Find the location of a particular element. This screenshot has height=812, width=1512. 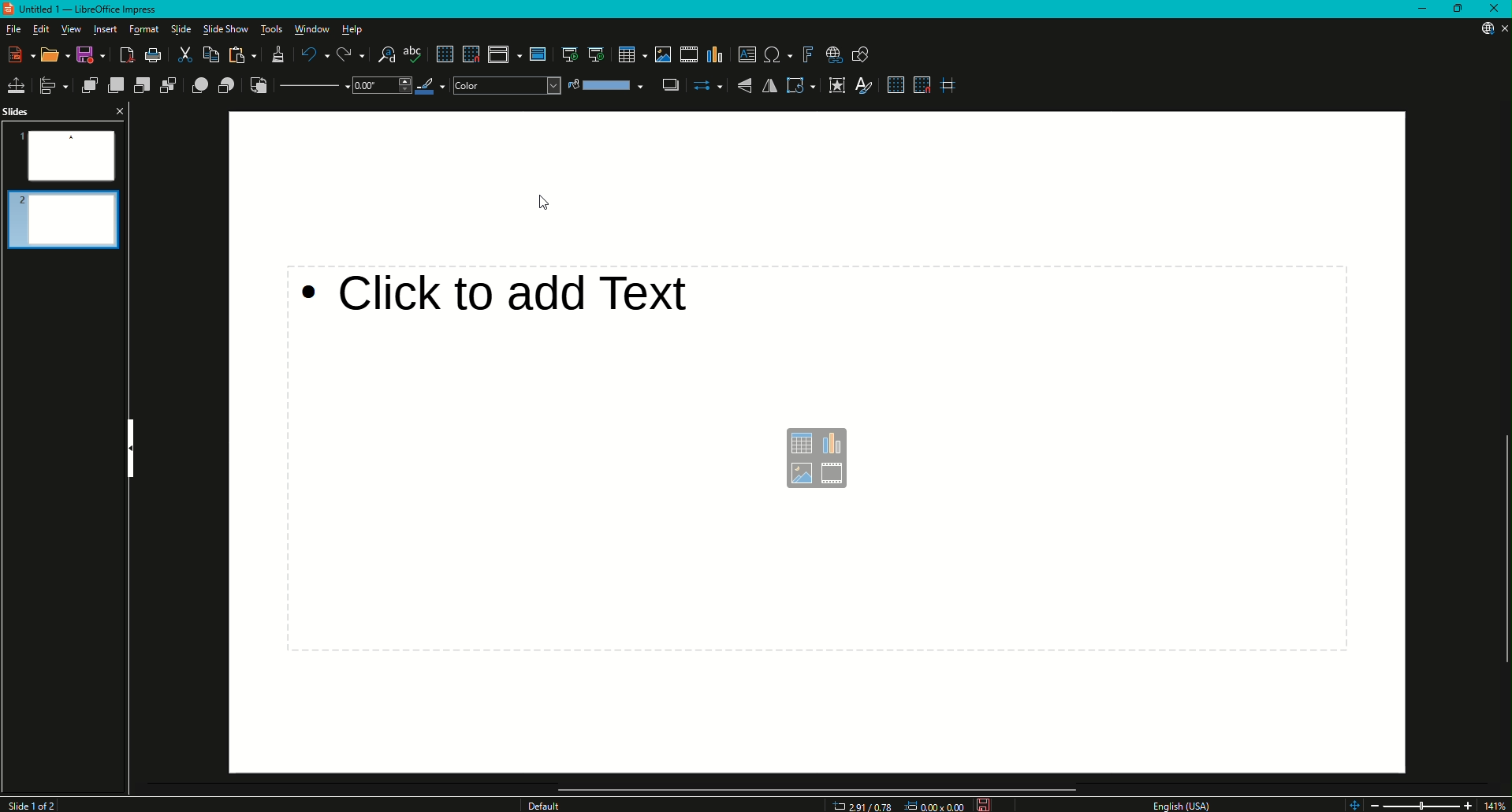

Slides is located at coordinates (24, 111).